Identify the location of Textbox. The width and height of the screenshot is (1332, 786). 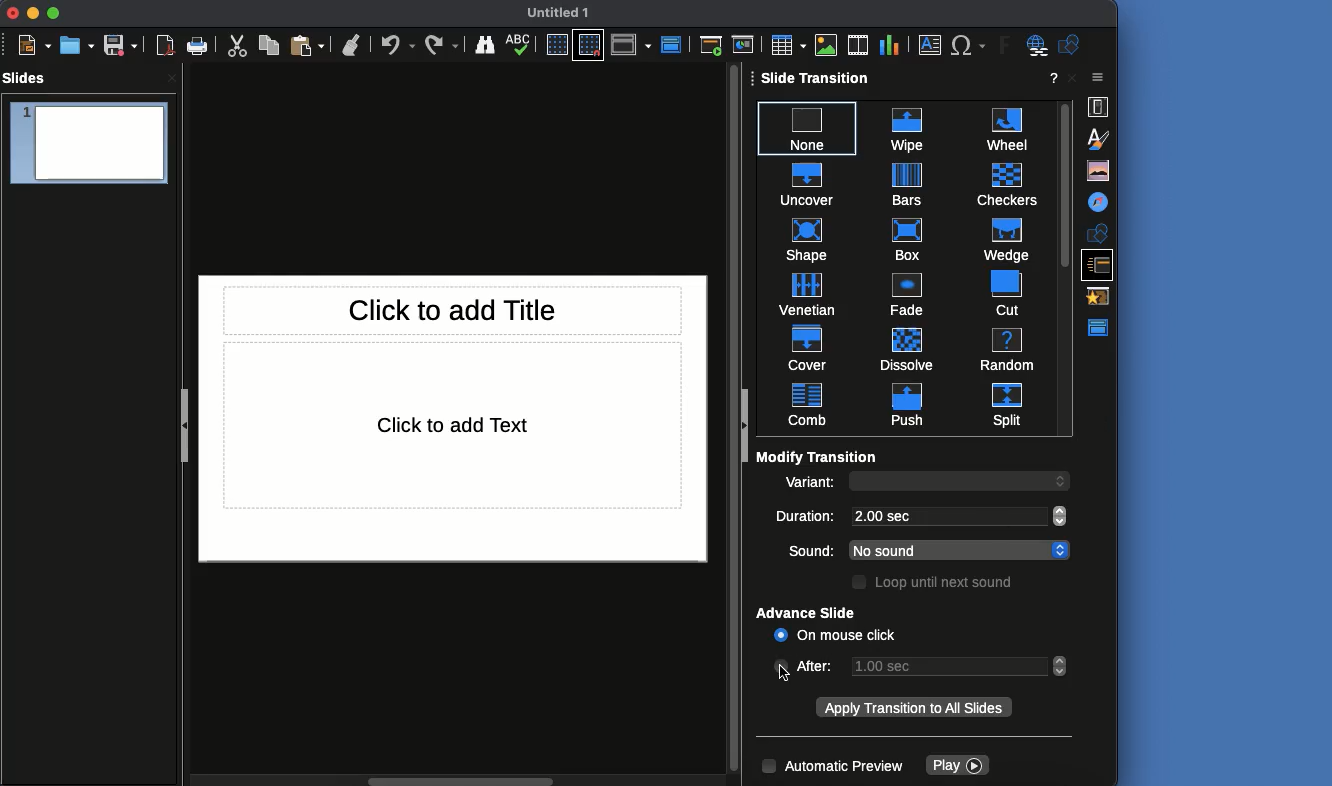
(931, 46).